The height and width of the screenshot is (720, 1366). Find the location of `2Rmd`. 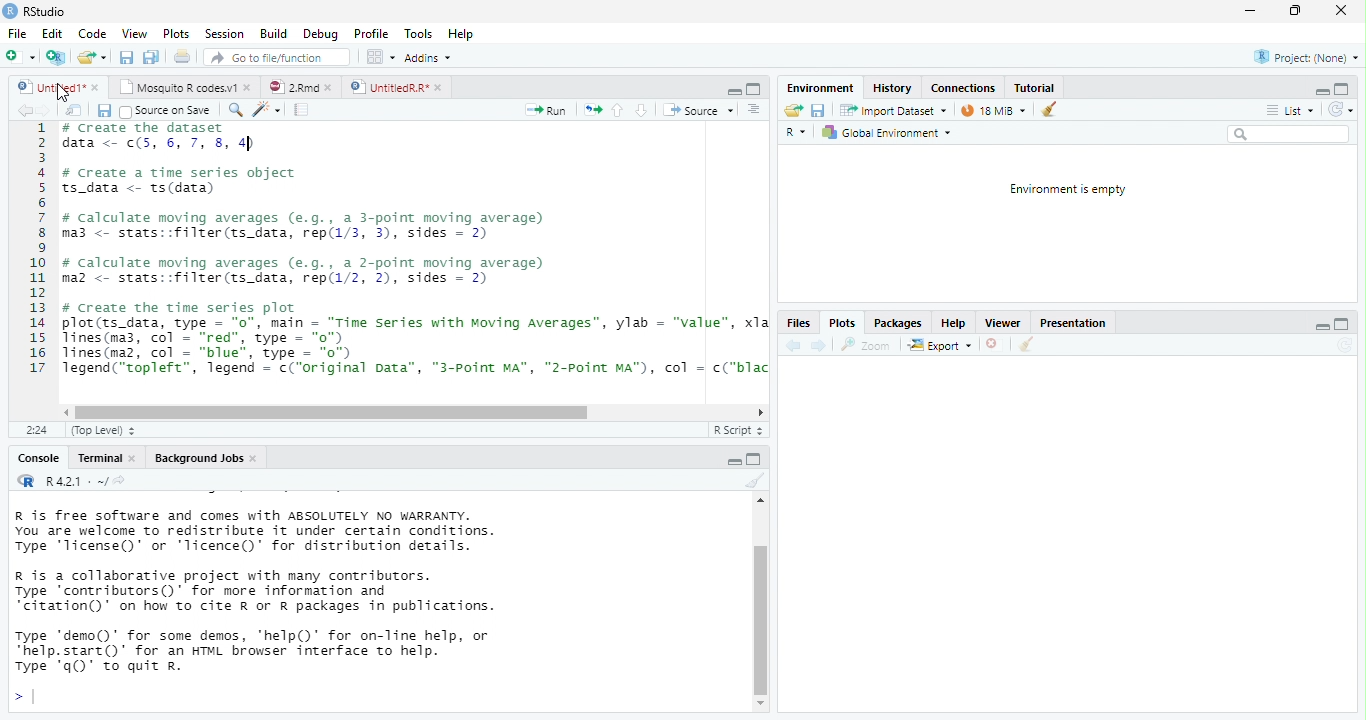

2Rmd is located at coordinates (291, 87).